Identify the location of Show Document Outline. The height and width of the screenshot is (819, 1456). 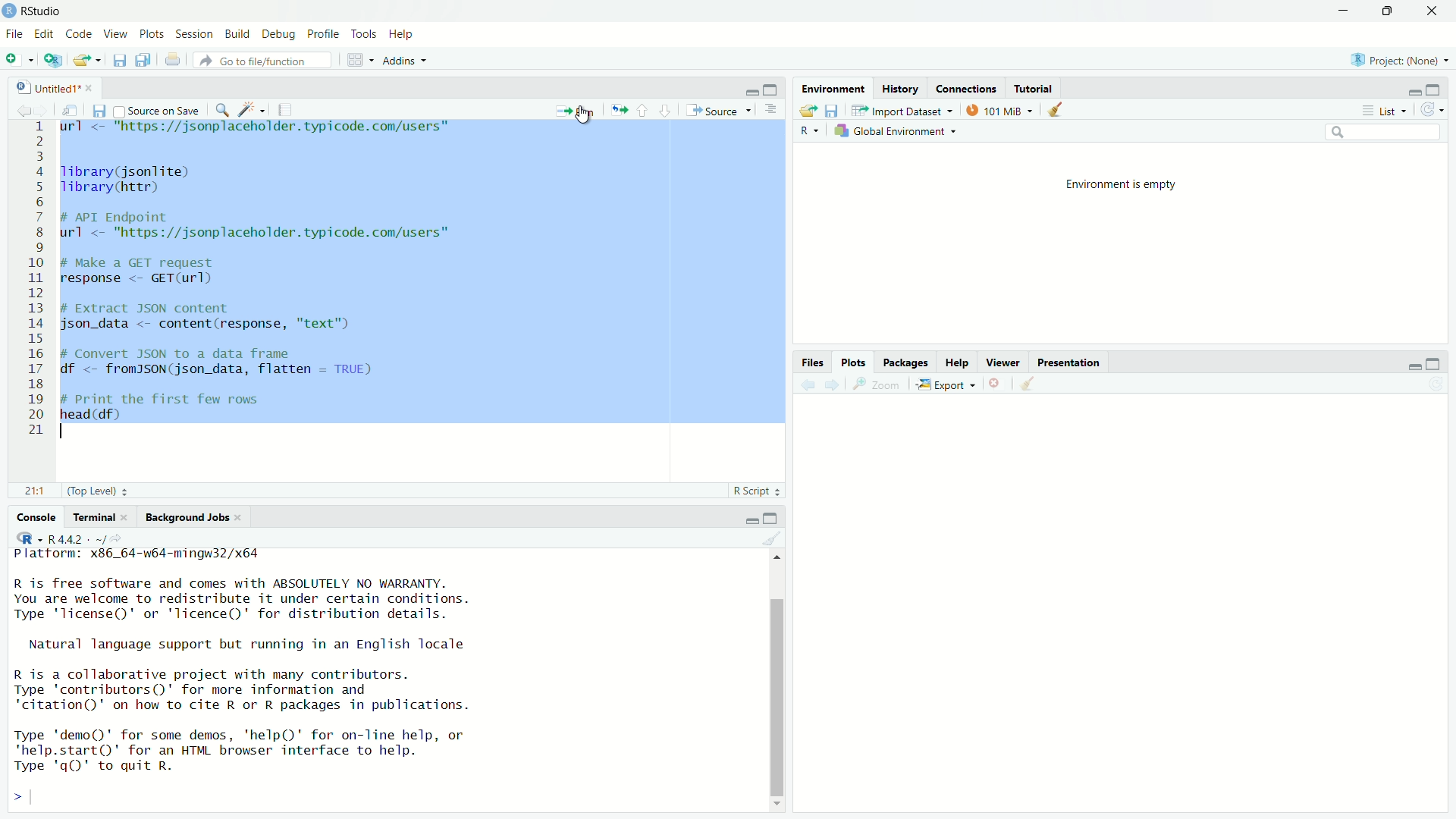
(772, 110).